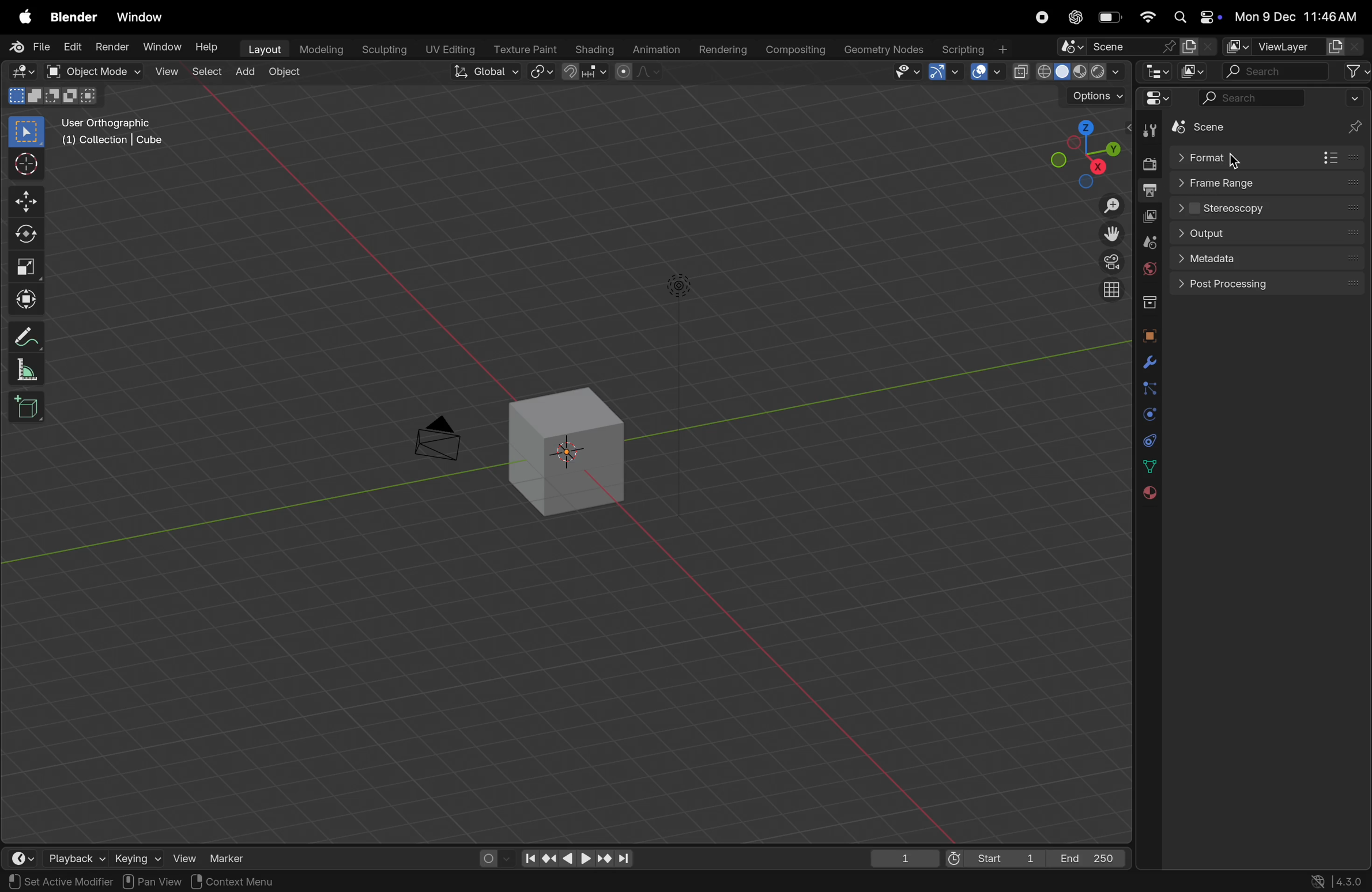 Image resolution: width=1372 pixels, height=892 pixels. What do you see at coordinates (596, 48) in the screenshot?
I see `Shading` at bounding box center [596, 48].